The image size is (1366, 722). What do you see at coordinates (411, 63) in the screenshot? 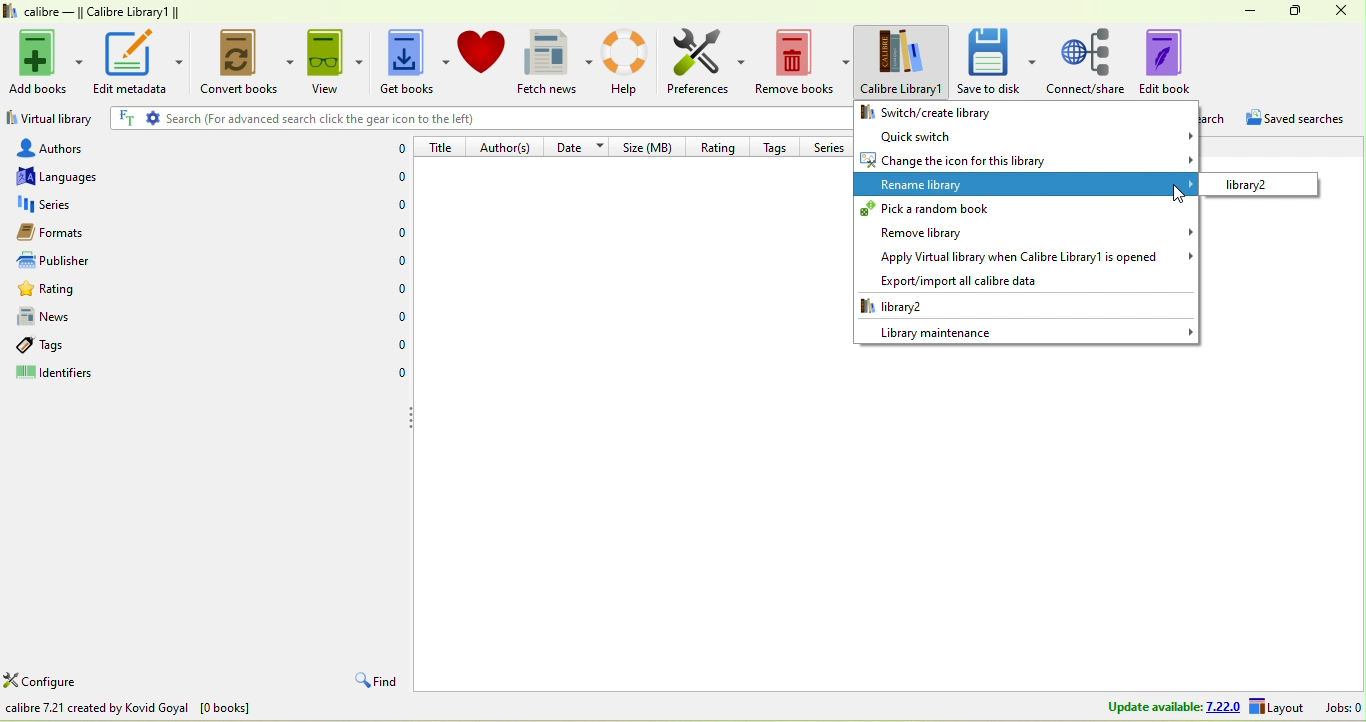
I see `get books` at bounding box center [411, 63].